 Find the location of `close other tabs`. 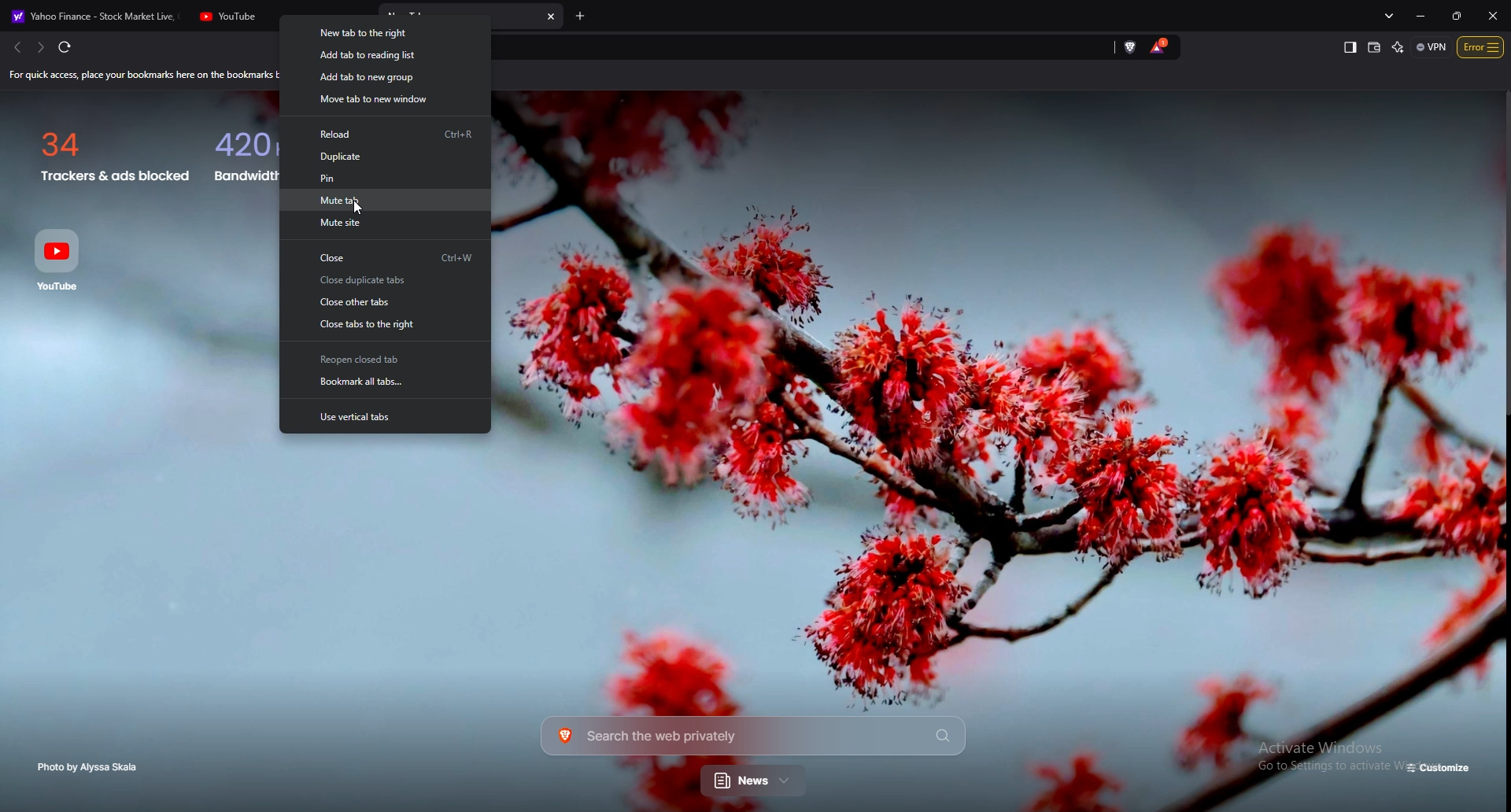

close other tabs is located at coordinates (382, 303).